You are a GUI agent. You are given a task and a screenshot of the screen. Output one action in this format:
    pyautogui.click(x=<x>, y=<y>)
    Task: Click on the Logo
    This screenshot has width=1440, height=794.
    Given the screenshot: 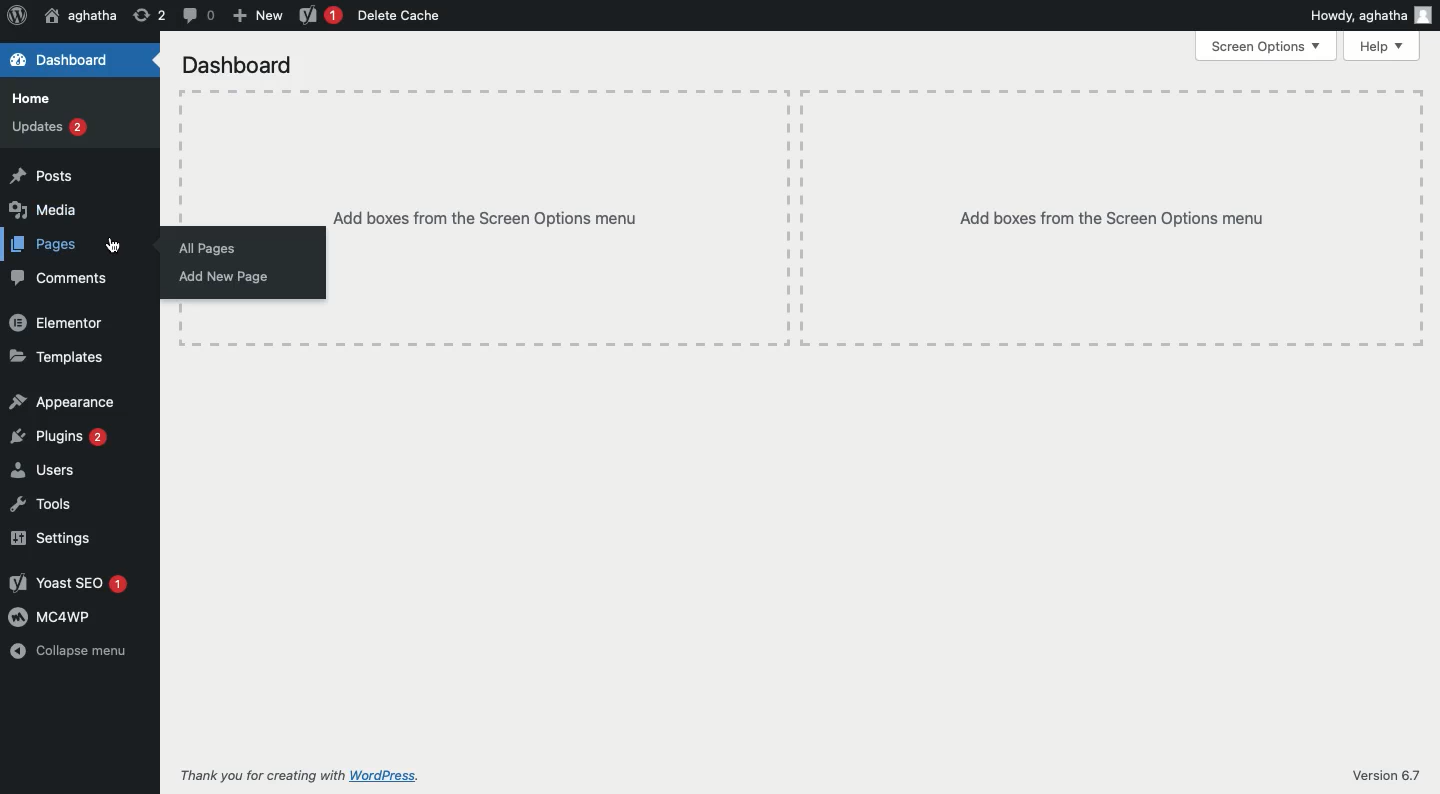 What is the action you would take?
    pyautogui.click(x=14, y=15)
    